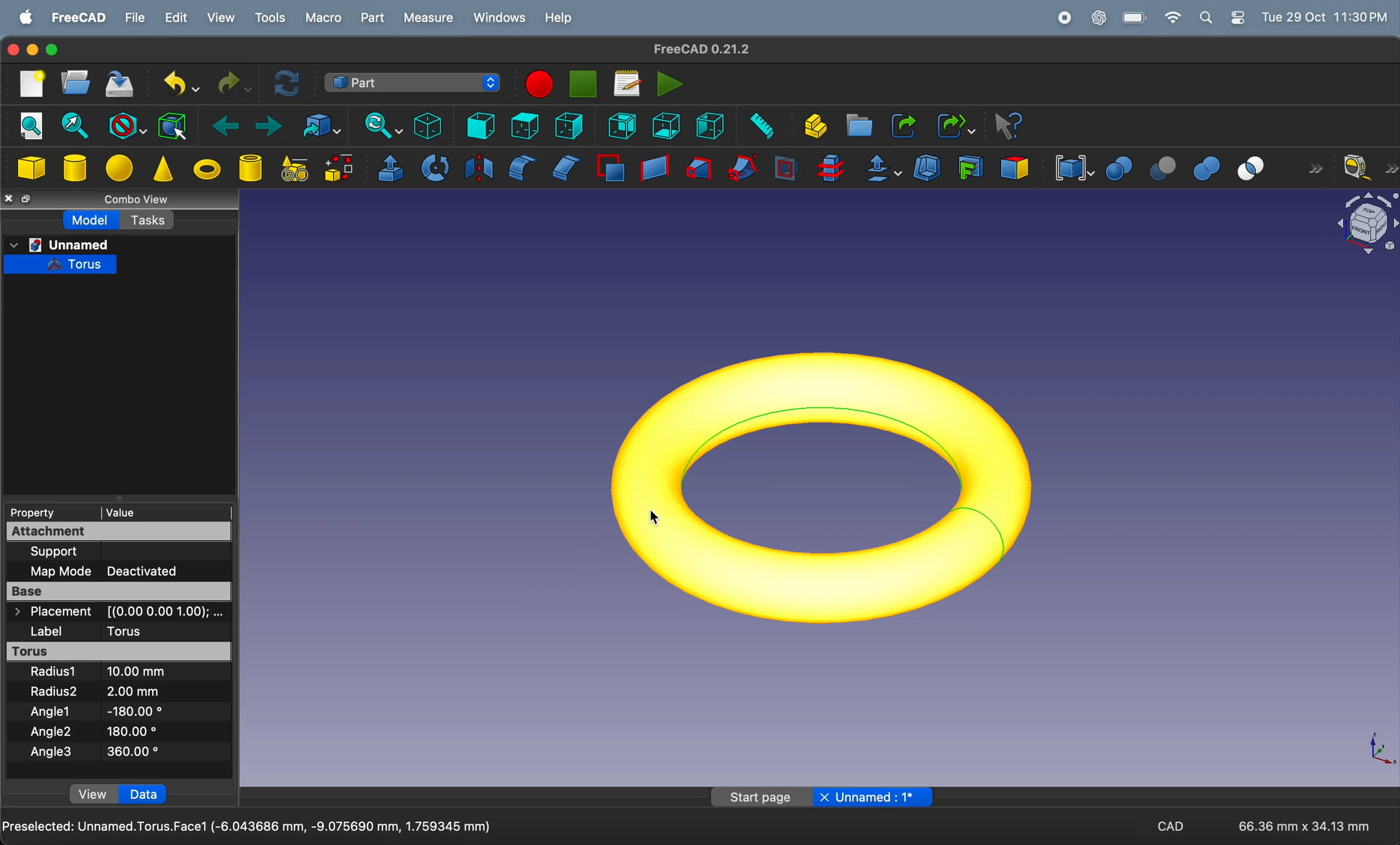  What do you see at coordinates (568, 126) in the screenshot?
I see `right view` at bounding box center [568, 126].